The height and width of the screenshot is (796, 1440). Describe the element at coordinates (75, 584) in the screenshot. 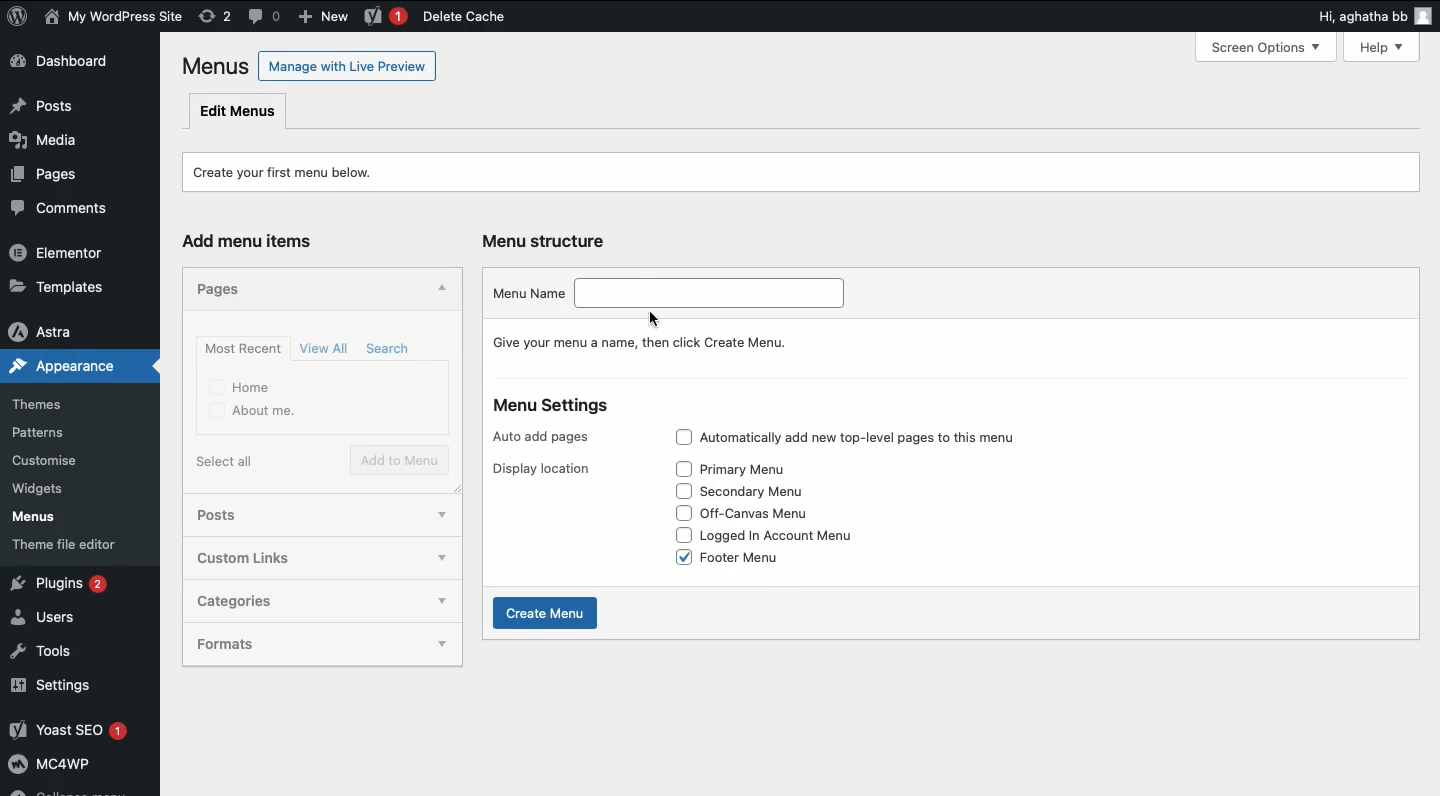

I see `Plugins 2` at that location.